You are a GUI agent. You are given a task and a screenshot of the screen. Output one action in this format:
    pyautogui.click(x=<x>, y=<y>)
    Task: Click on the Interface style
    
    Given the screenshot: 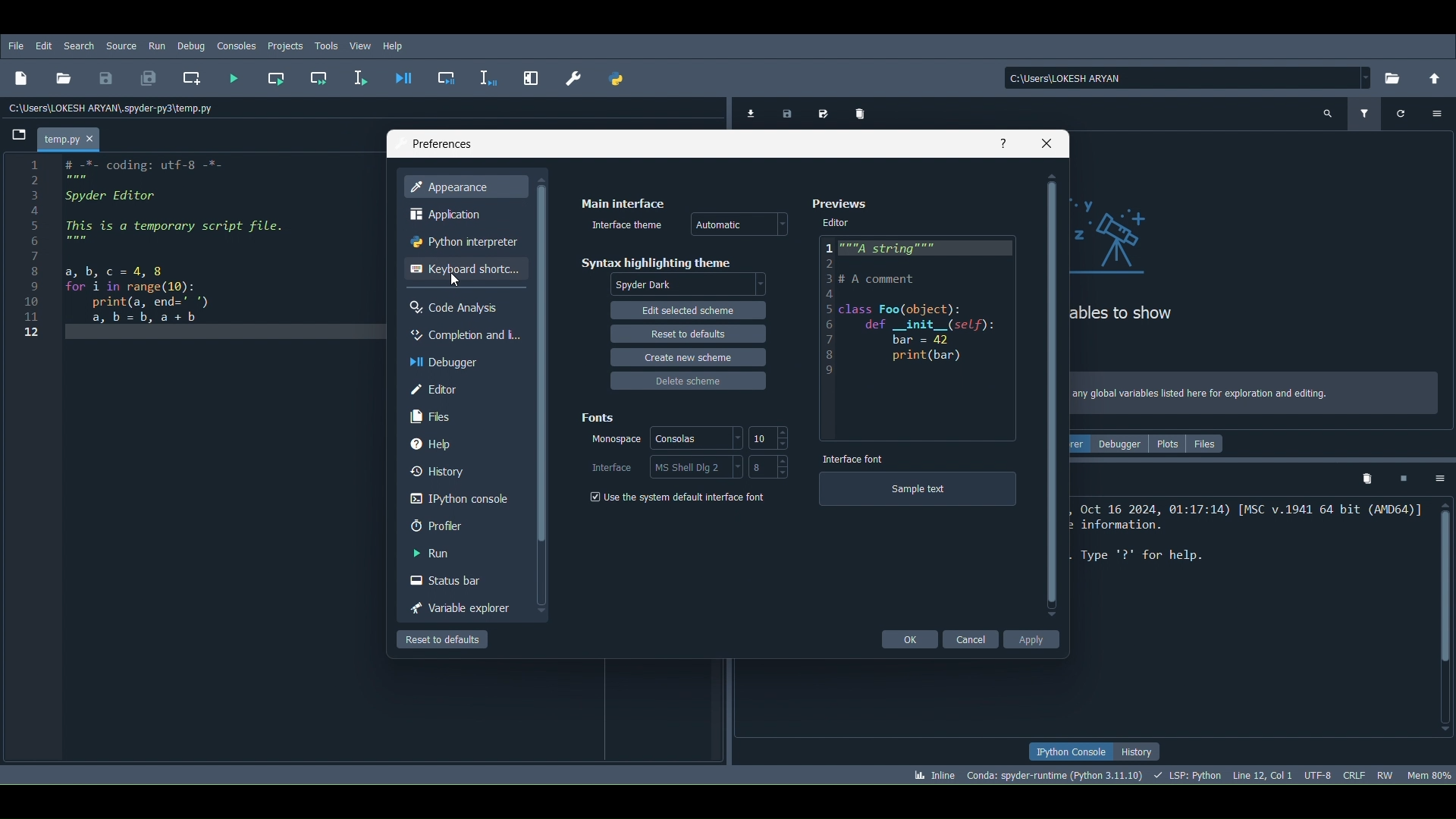 What is the action you would take?
    pyautogui.click(x=695, y=467)
    